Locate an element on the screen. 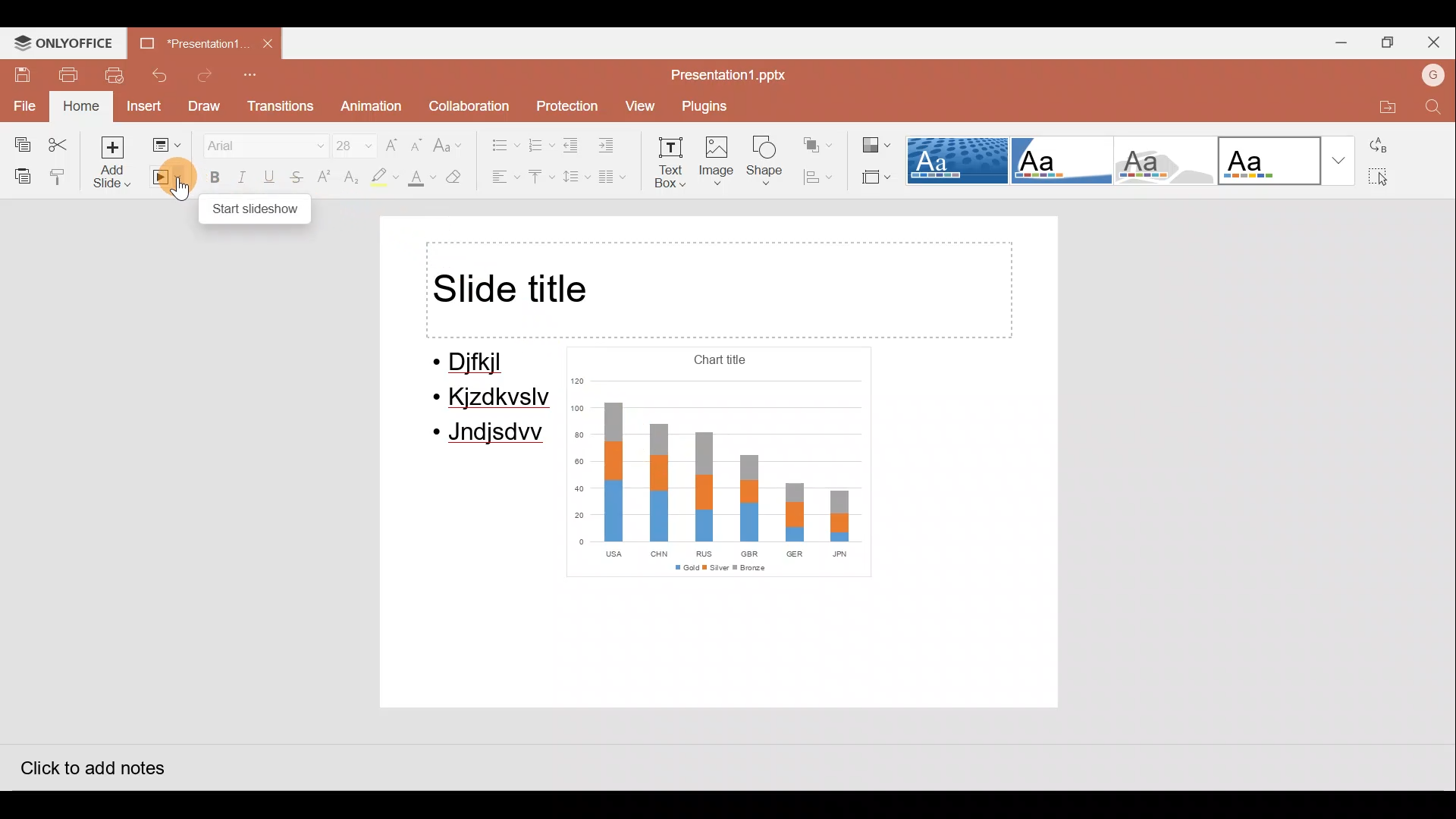 This screenshot has height=819, width=1456. Fill colour is located at coordinates (420, 180).